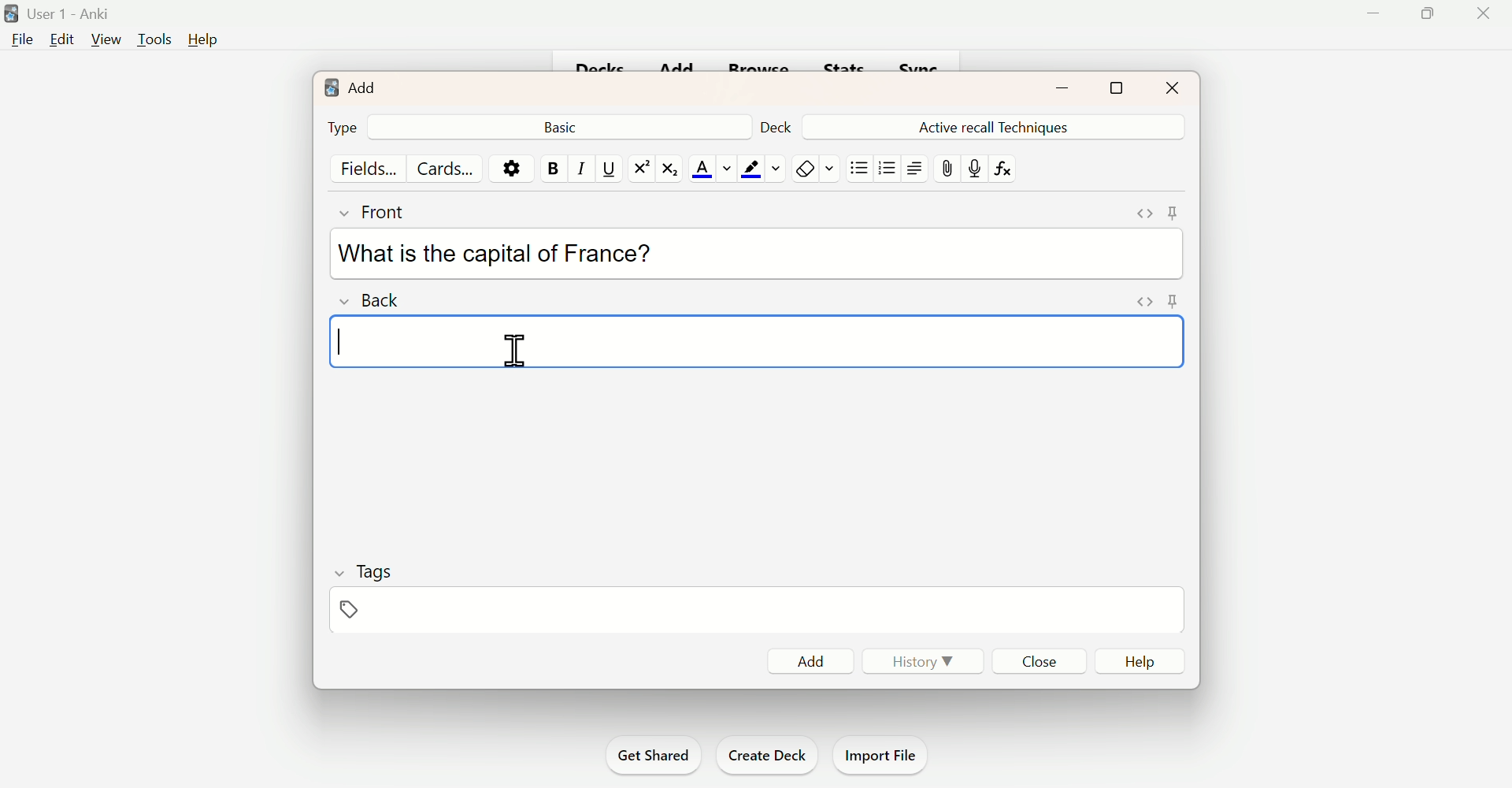  What do you see at coordinates (759, 167) in the screenshot?
I see `Text Highlighting Color` at bounding box center [759, 167].